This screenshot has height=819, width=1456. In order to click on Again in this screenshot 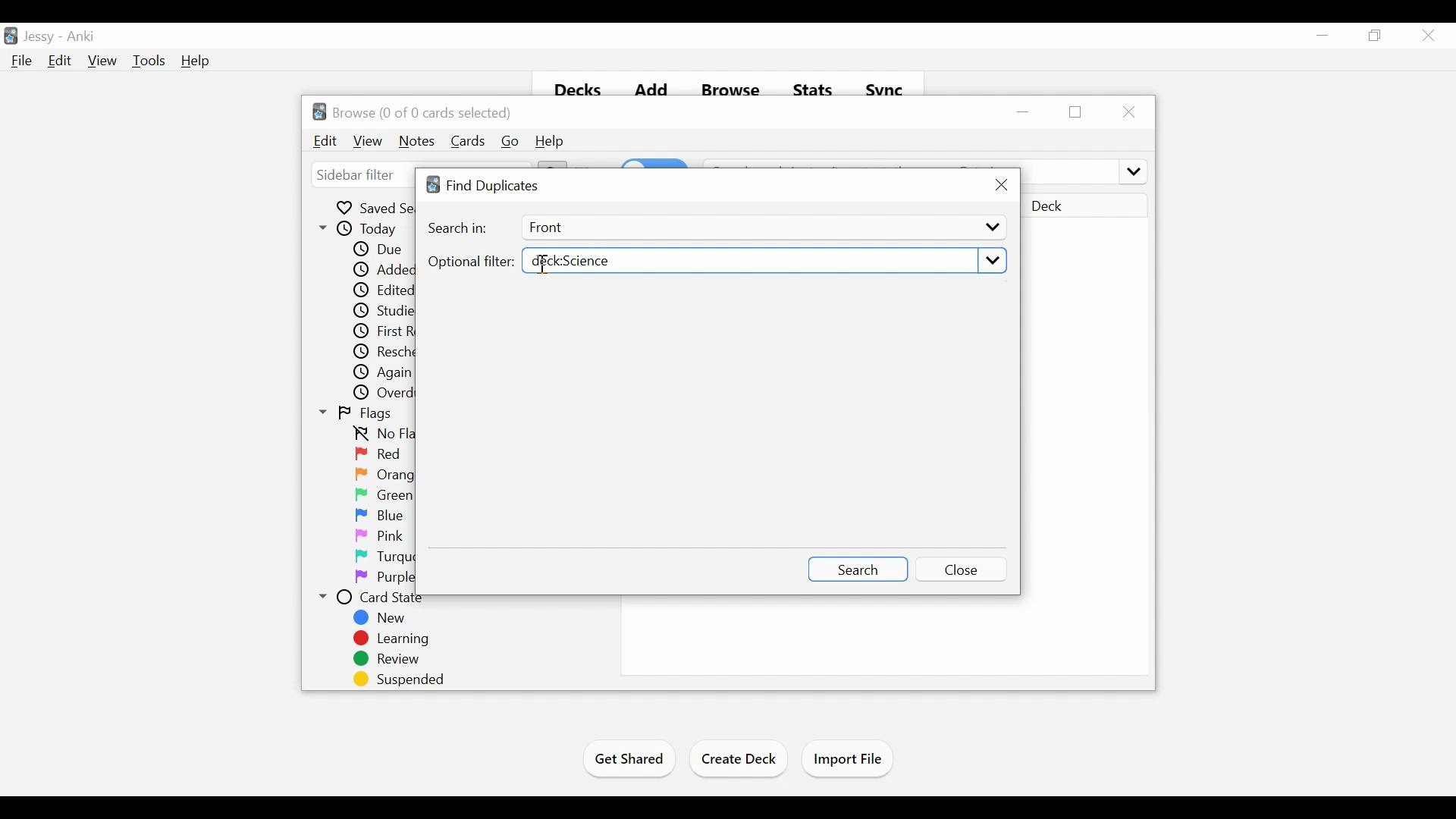, I will do `click(384, 373)`.